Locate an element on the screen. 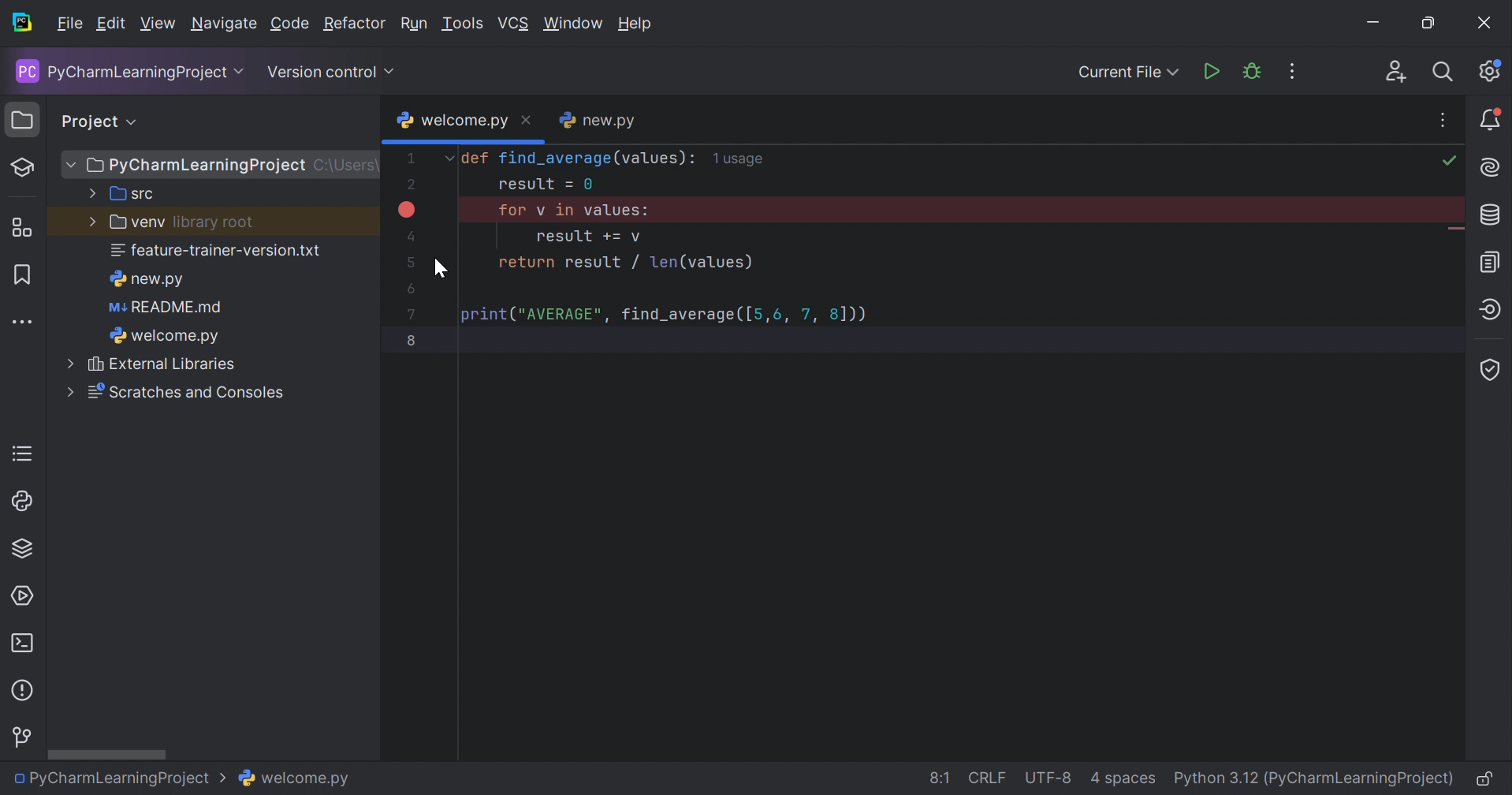 The width and height of the screenshot is (1512, 795). PyCharm icon is located at coordinates (23, 24).